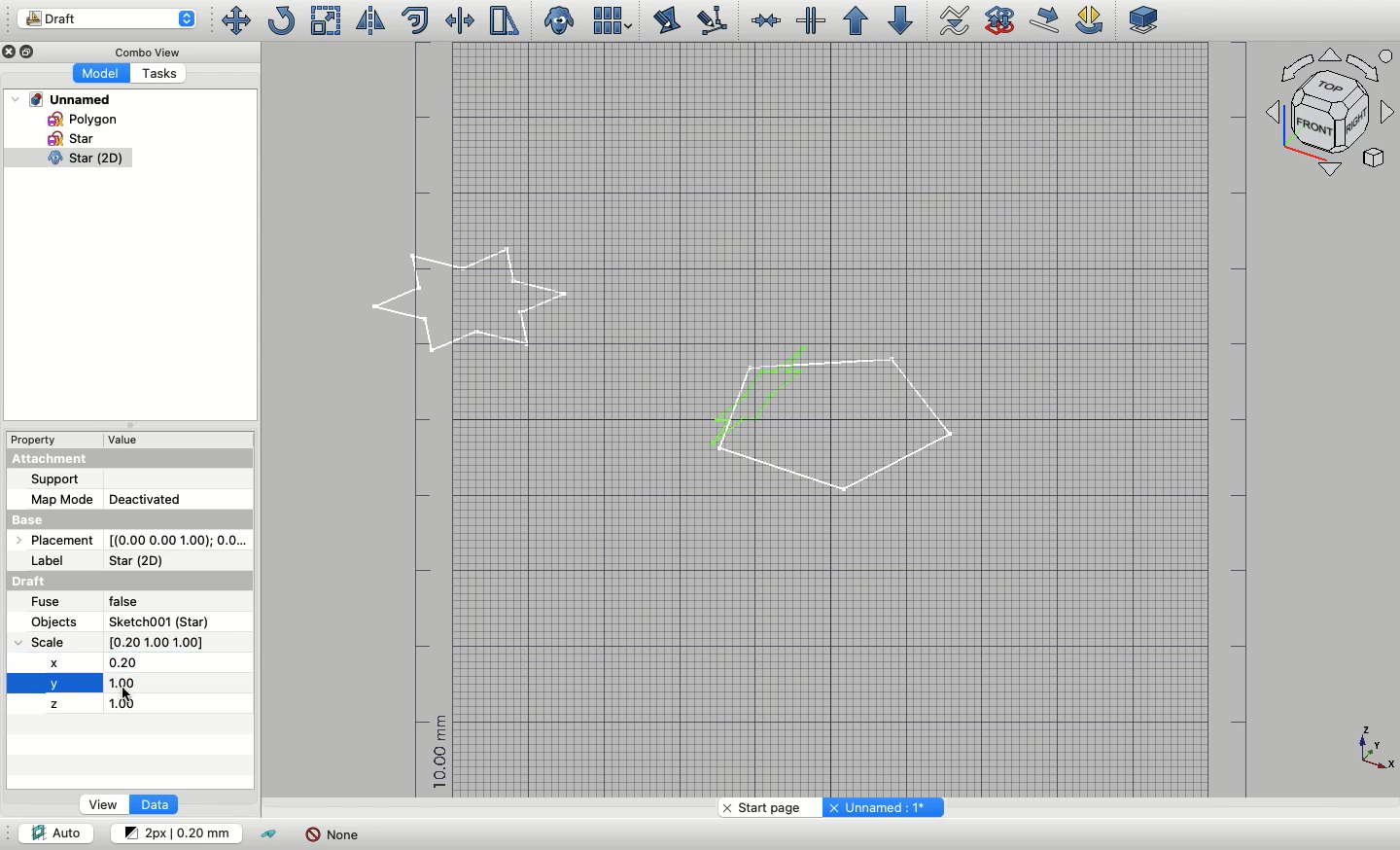 Image resolution: width=1400 pixels, height=850 pixels. Describe the element at coordinates (52, 642) in the screenshot. I see `Scale` at that location.